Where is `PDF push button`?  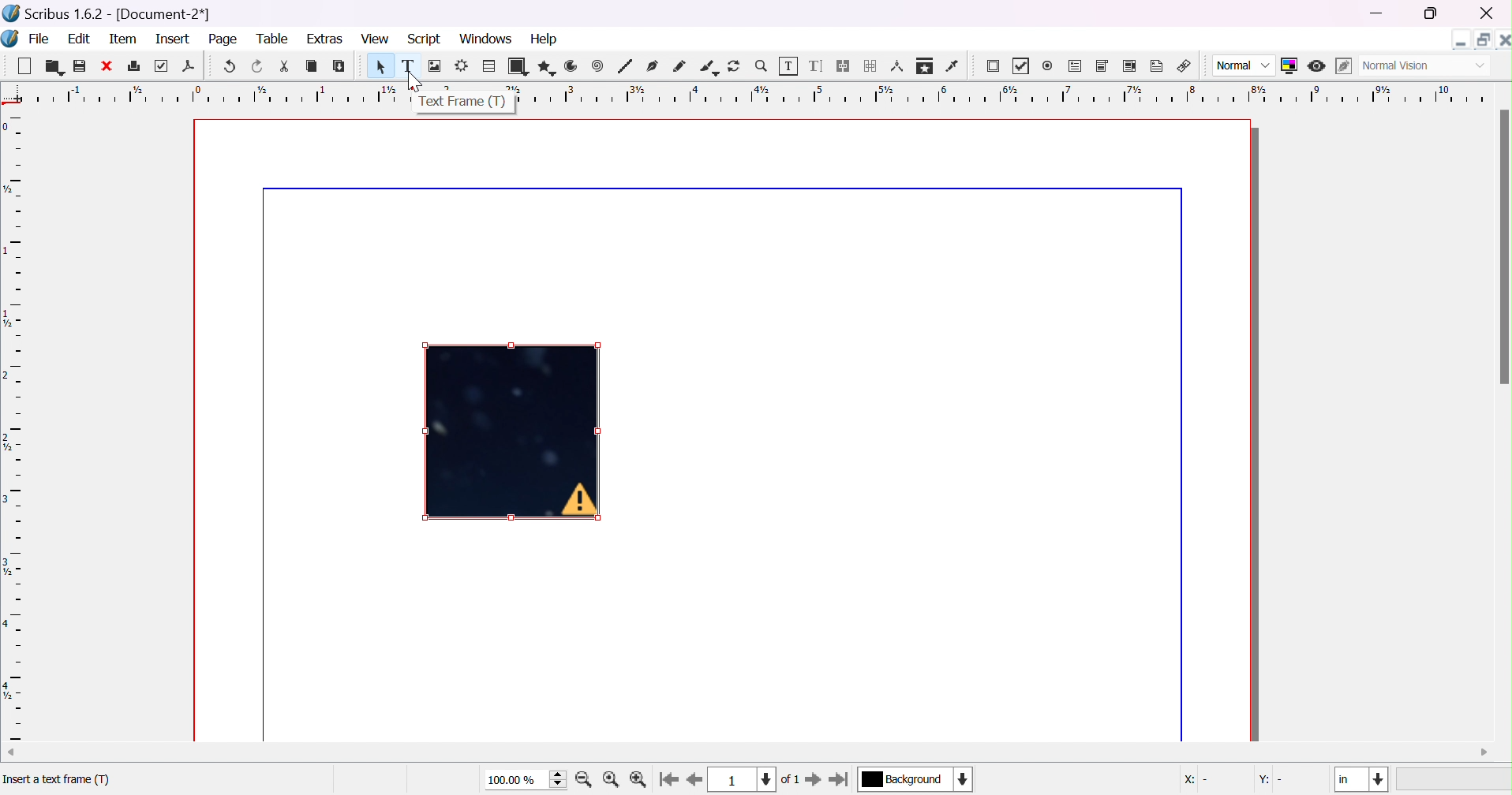 PDF push button is located at coordinates (995, 68).